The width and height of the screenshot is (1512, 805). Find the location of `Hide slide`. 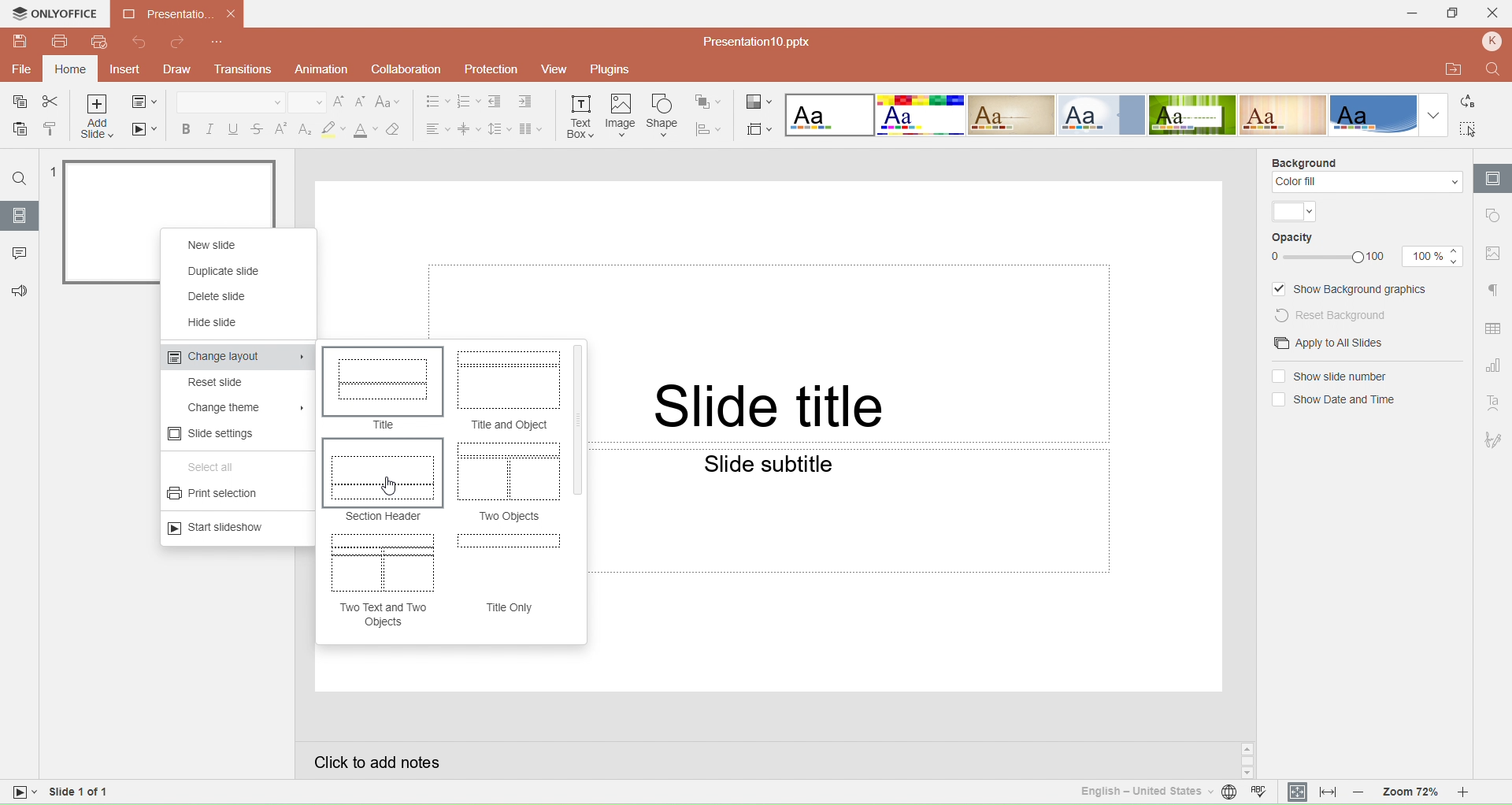

Hide slide is located at coordinates (217, 322).